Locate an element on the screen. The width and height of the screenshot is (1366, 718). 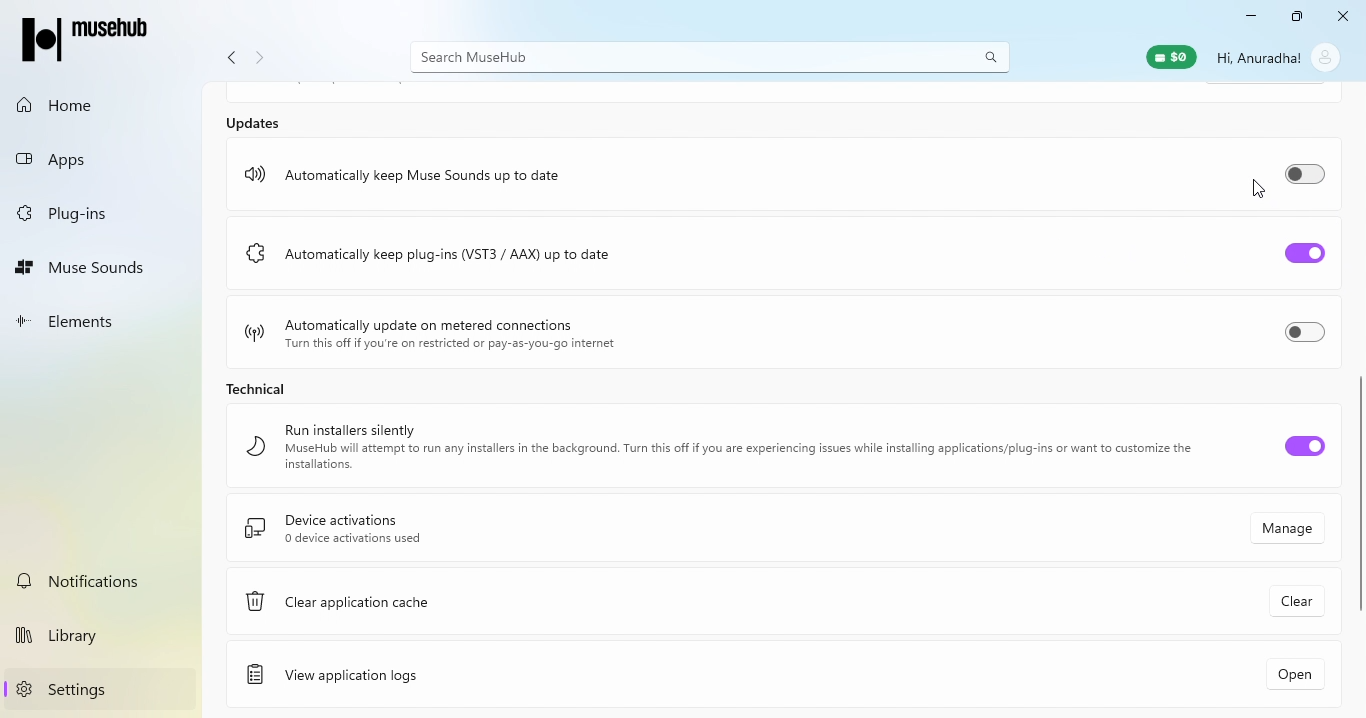
Home is located at coordinates (90, 104).